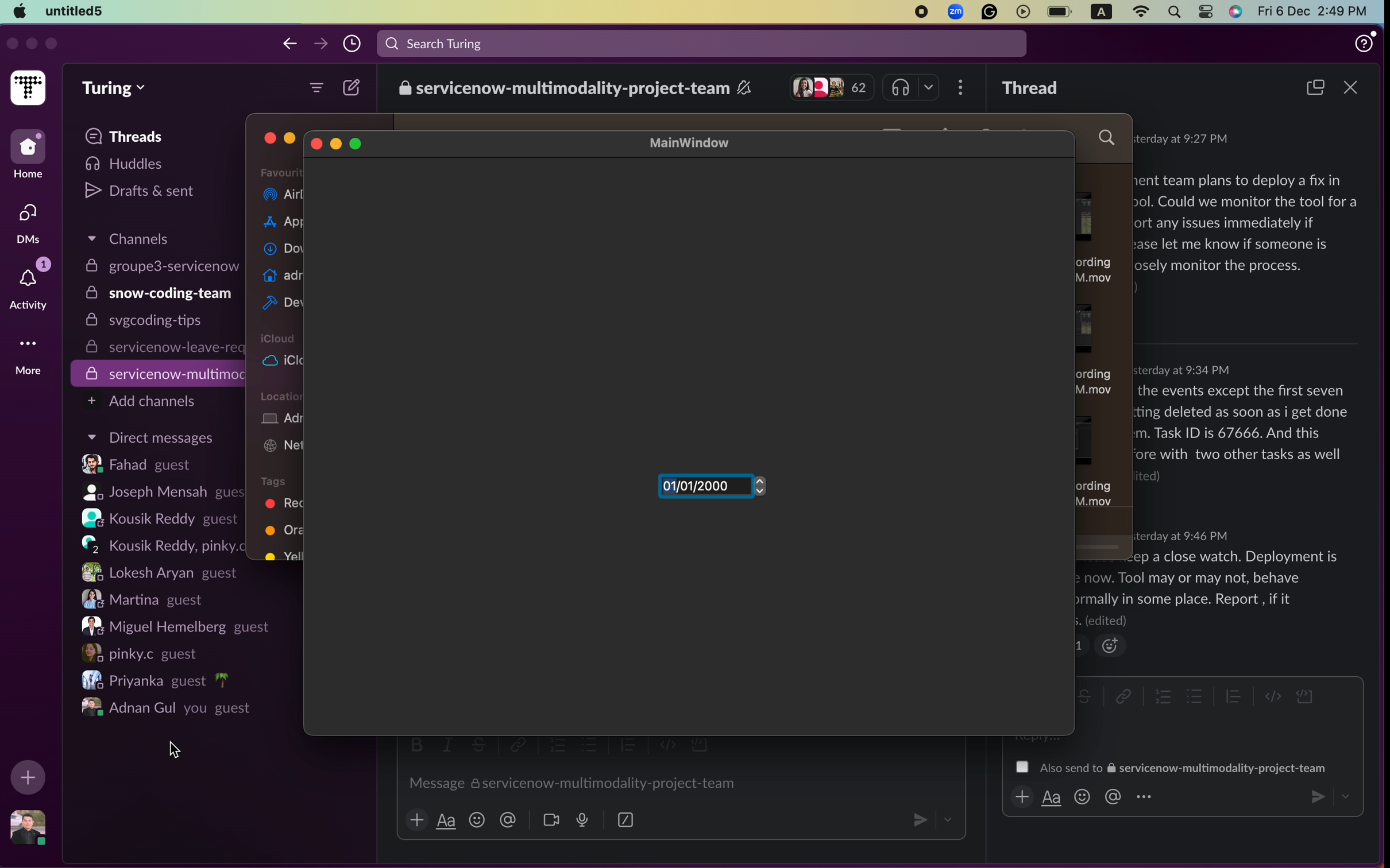  Describe the element at coordinates (956, 12) in the screenshot. I see `zm` at that location.